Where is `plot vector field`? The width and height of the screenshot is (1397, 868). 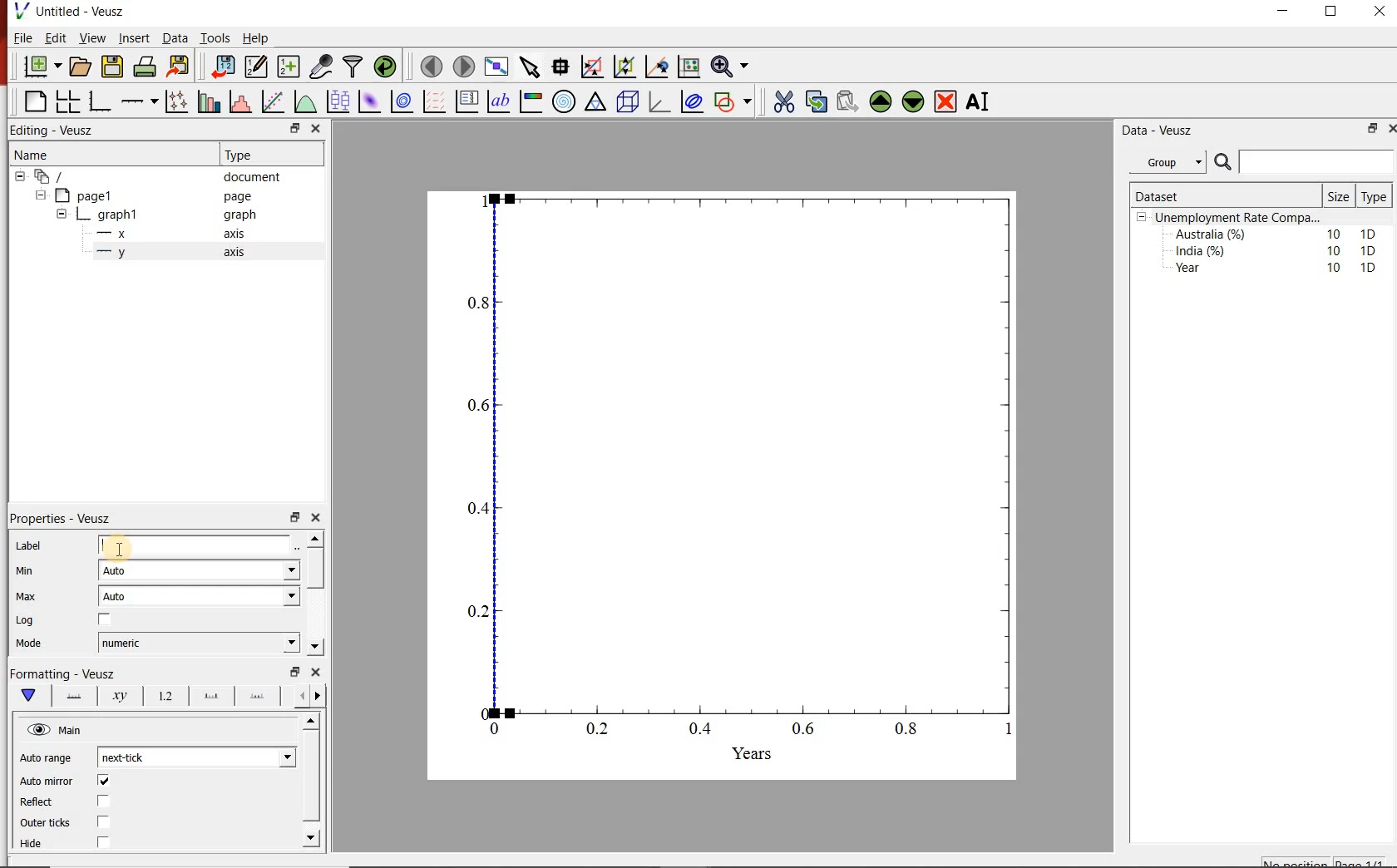
plot vector field is located at coordinates (433, 101).